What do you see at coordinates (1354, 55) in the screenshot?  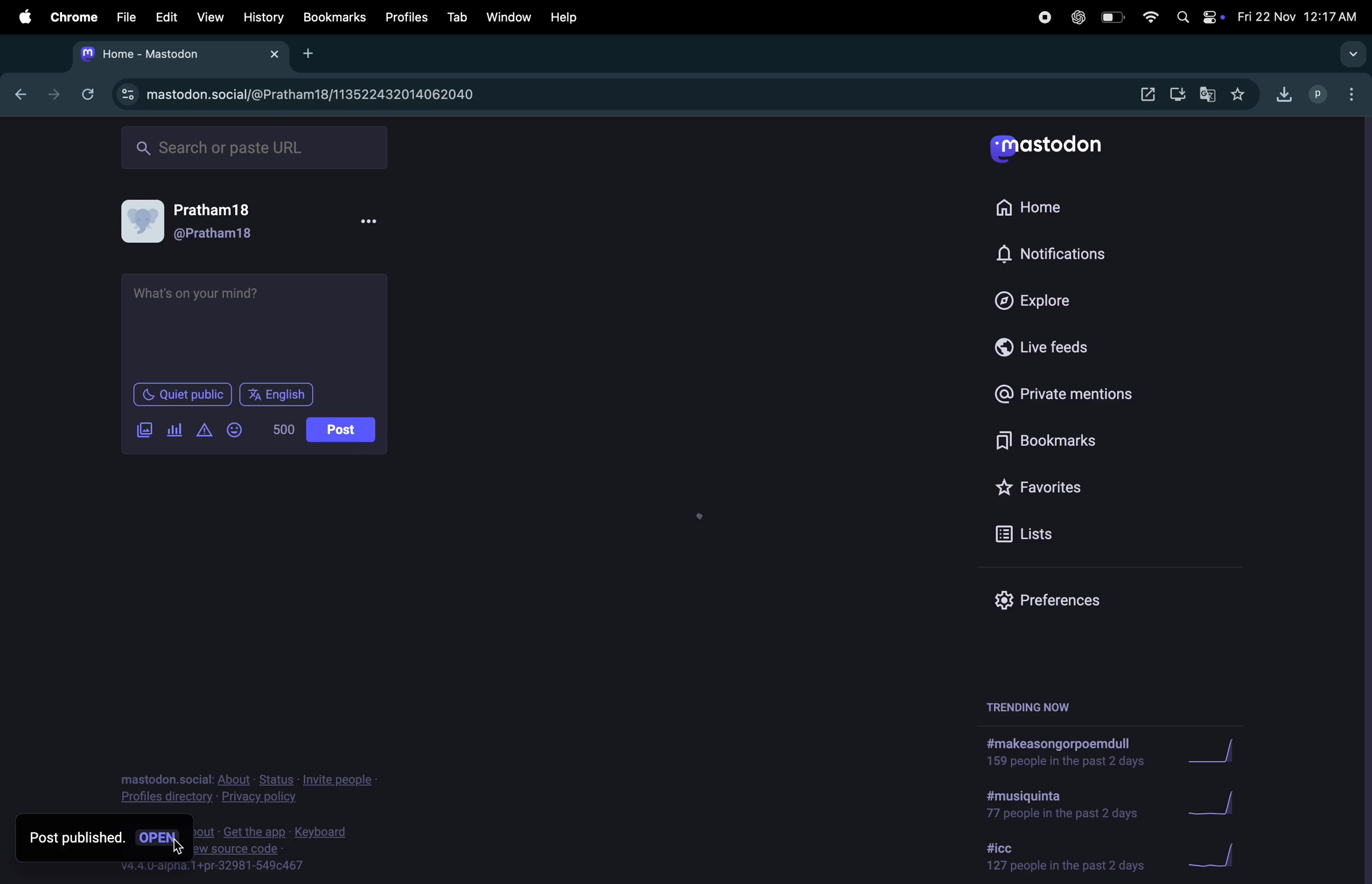 I see `search tabs` at bounding box center [1354, 55].